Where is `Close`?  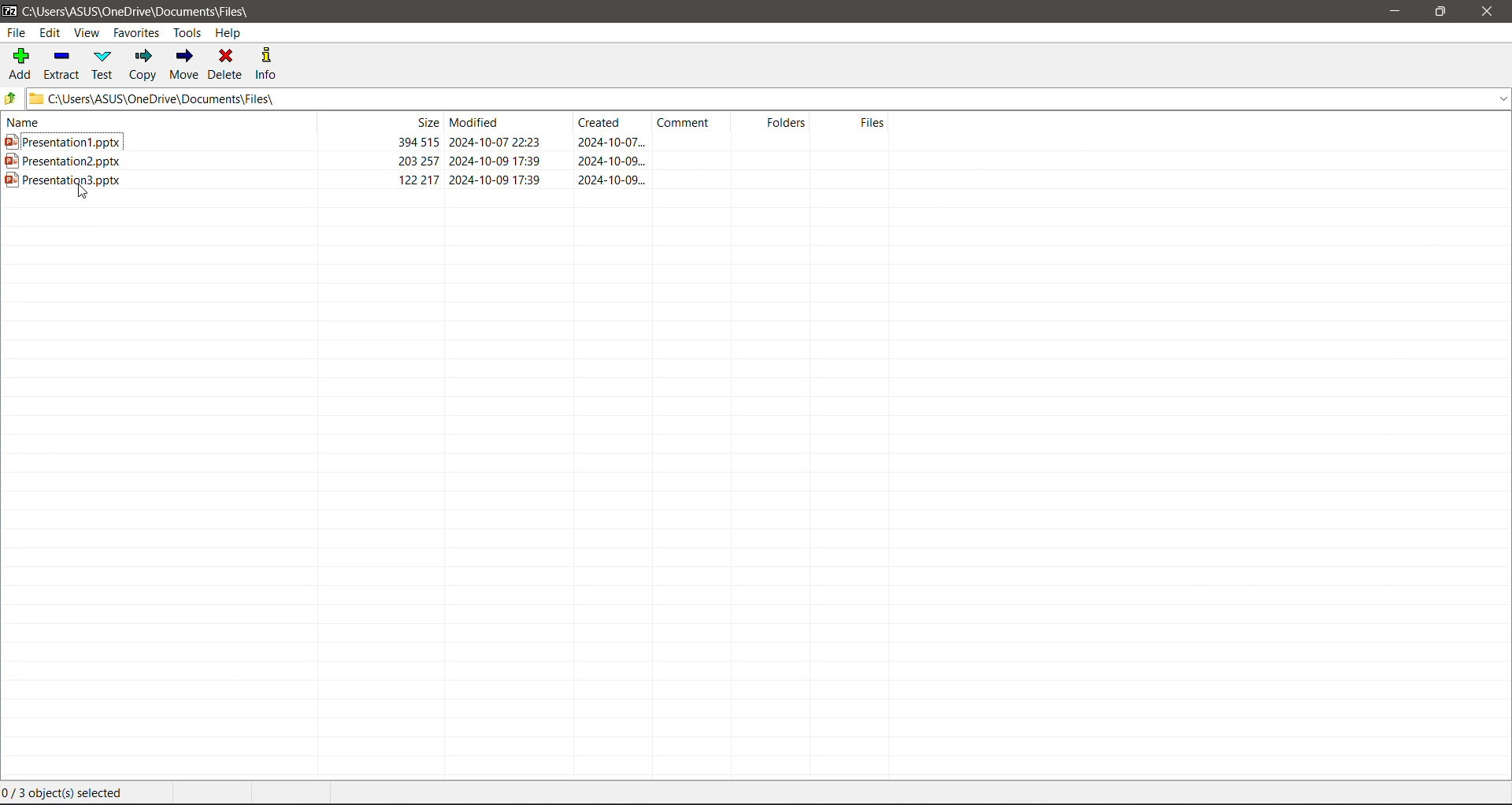 Close is located at coordinates (1492, 12).